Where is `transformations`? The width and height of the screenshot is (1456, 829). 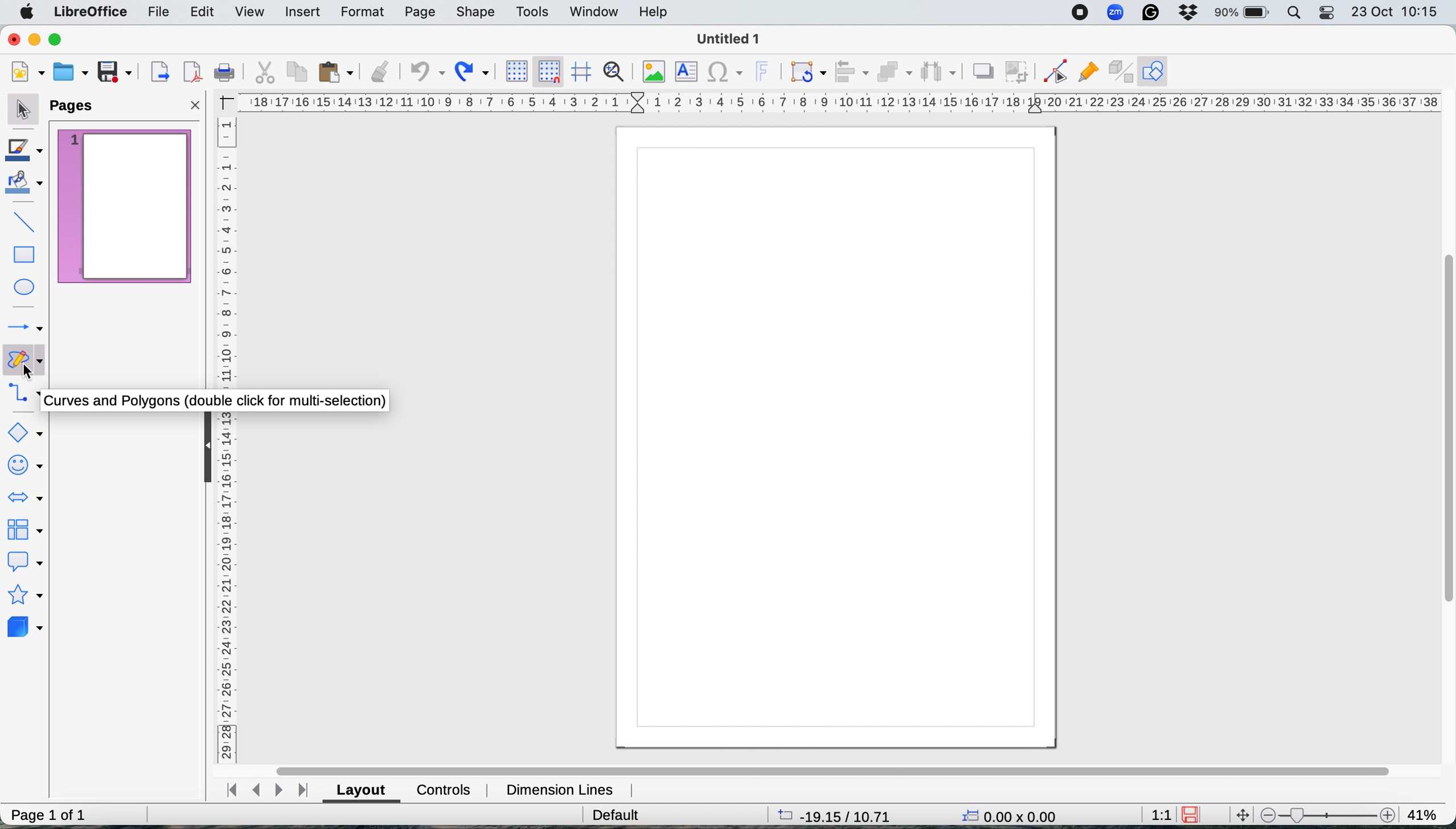 transformations is located at coordinates (807, 73).